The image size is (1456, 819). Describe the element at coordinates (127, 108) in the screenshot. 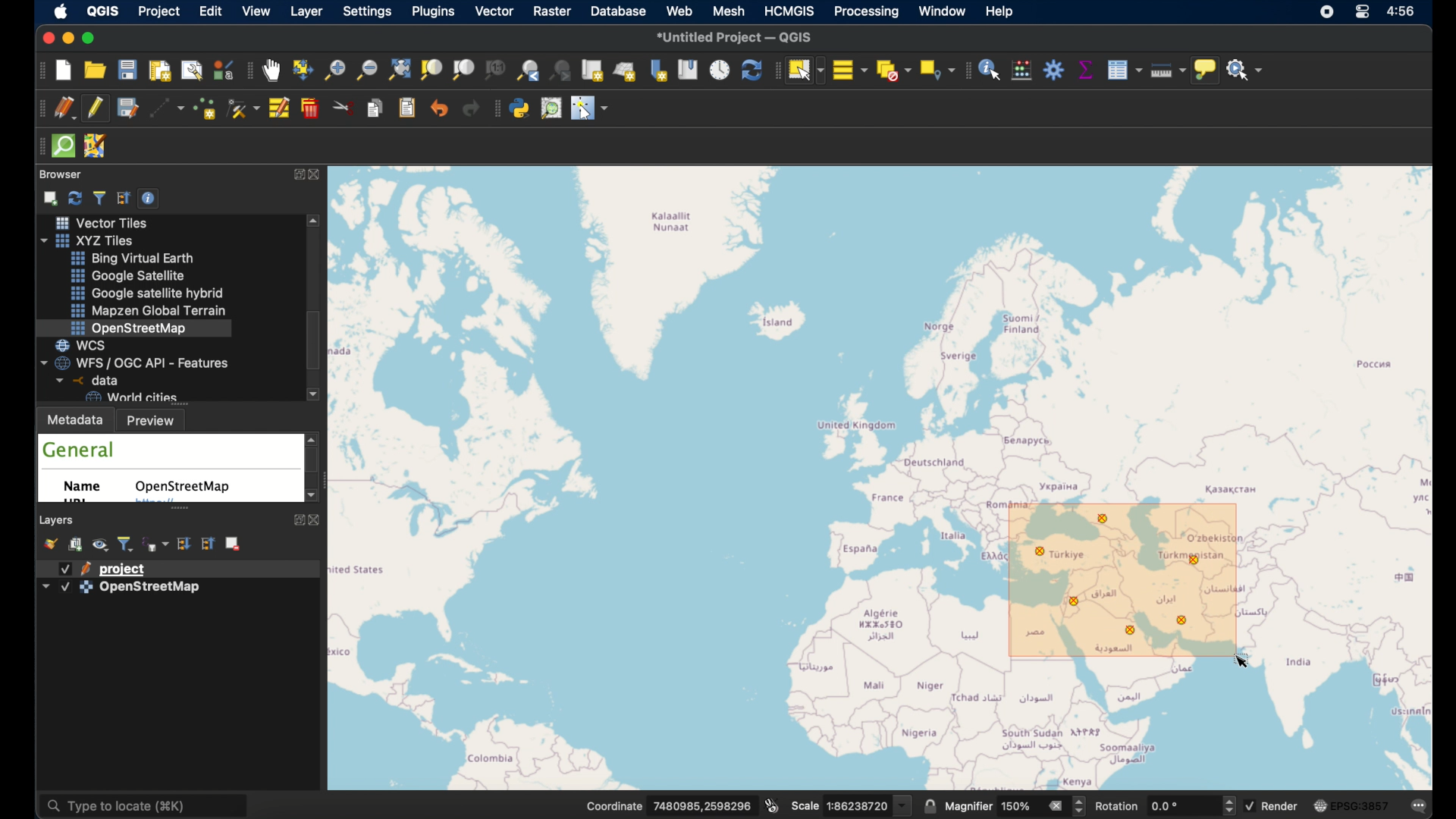

I see `save project` at that location.